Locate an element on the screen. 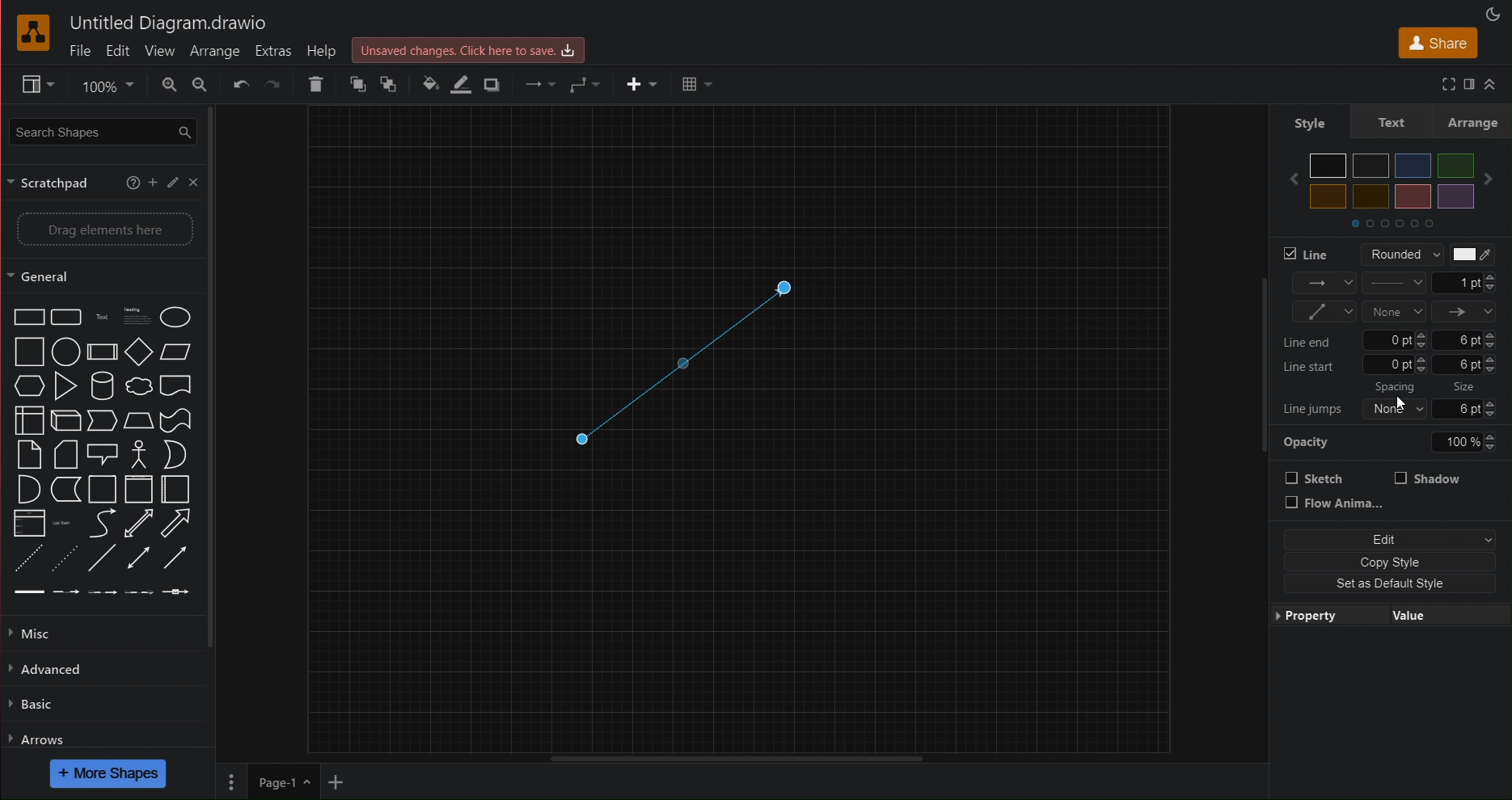  Basic is located at coordinates (32, 706).